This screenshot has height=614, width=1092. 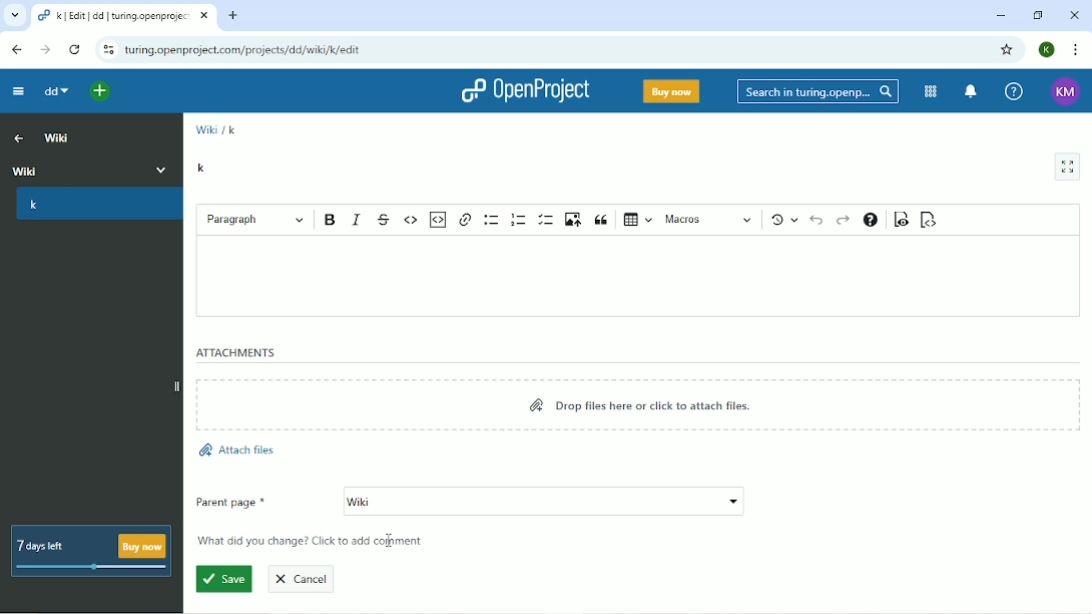 I want to click on Code, so click(x=411, y=218).